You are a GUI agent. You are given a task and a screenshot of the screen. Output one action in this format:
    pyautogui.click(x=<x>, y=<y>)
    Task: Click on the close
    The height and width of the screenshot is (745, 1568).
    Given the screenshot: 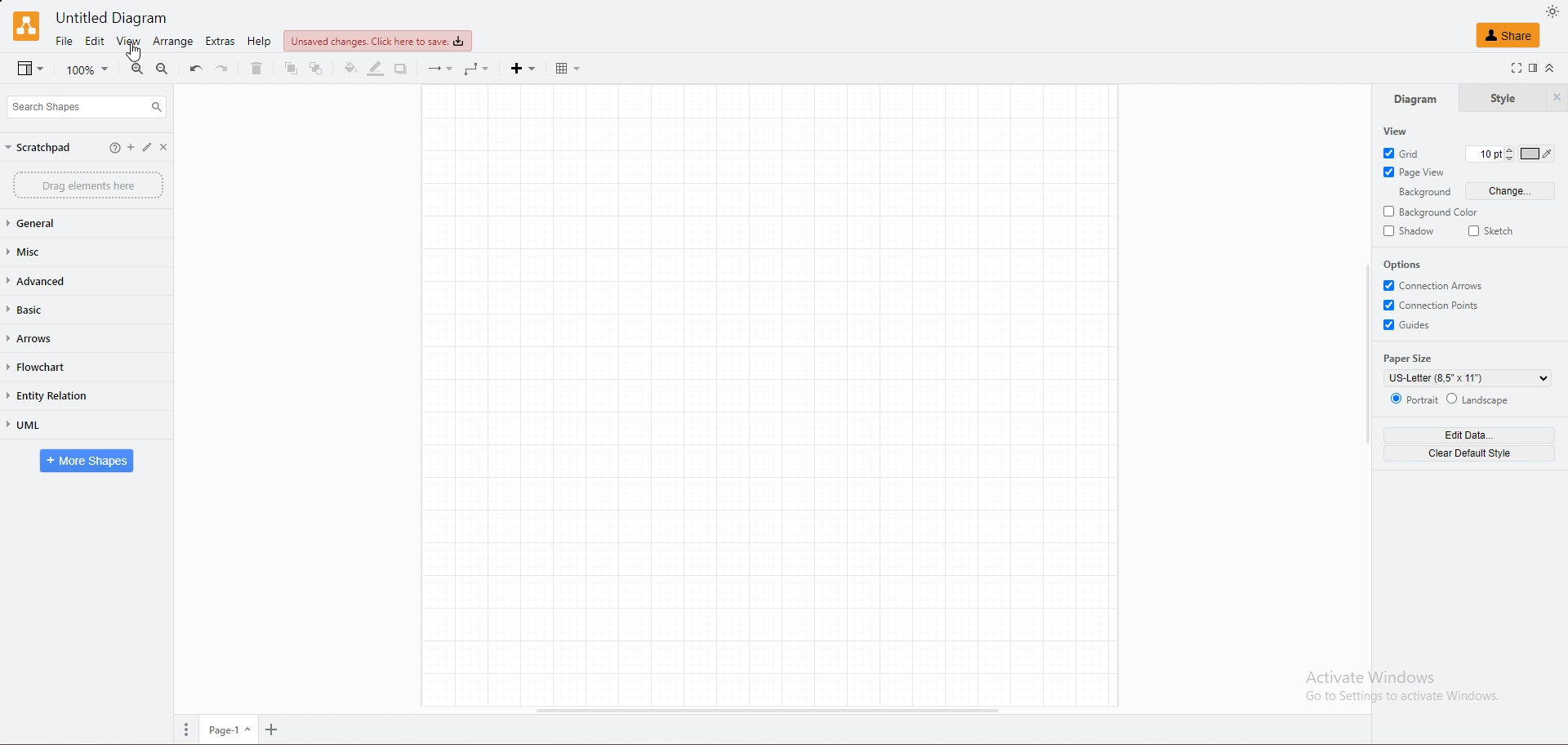 What is the action you would take?
    pyautogui.click(x=169, y=148)
    